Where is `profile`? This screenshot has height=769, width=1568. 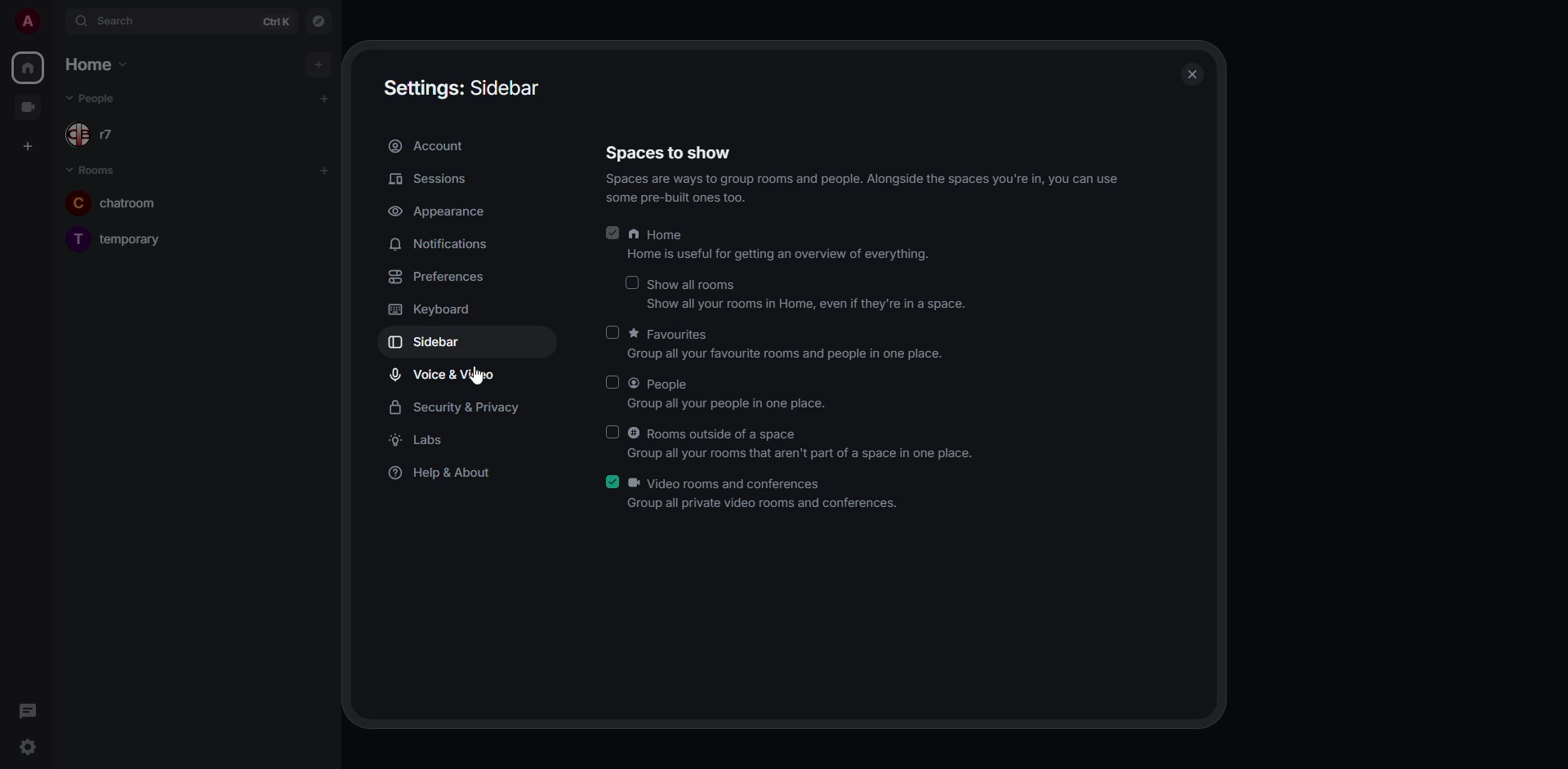
profile is located at coordinates (26, 24).